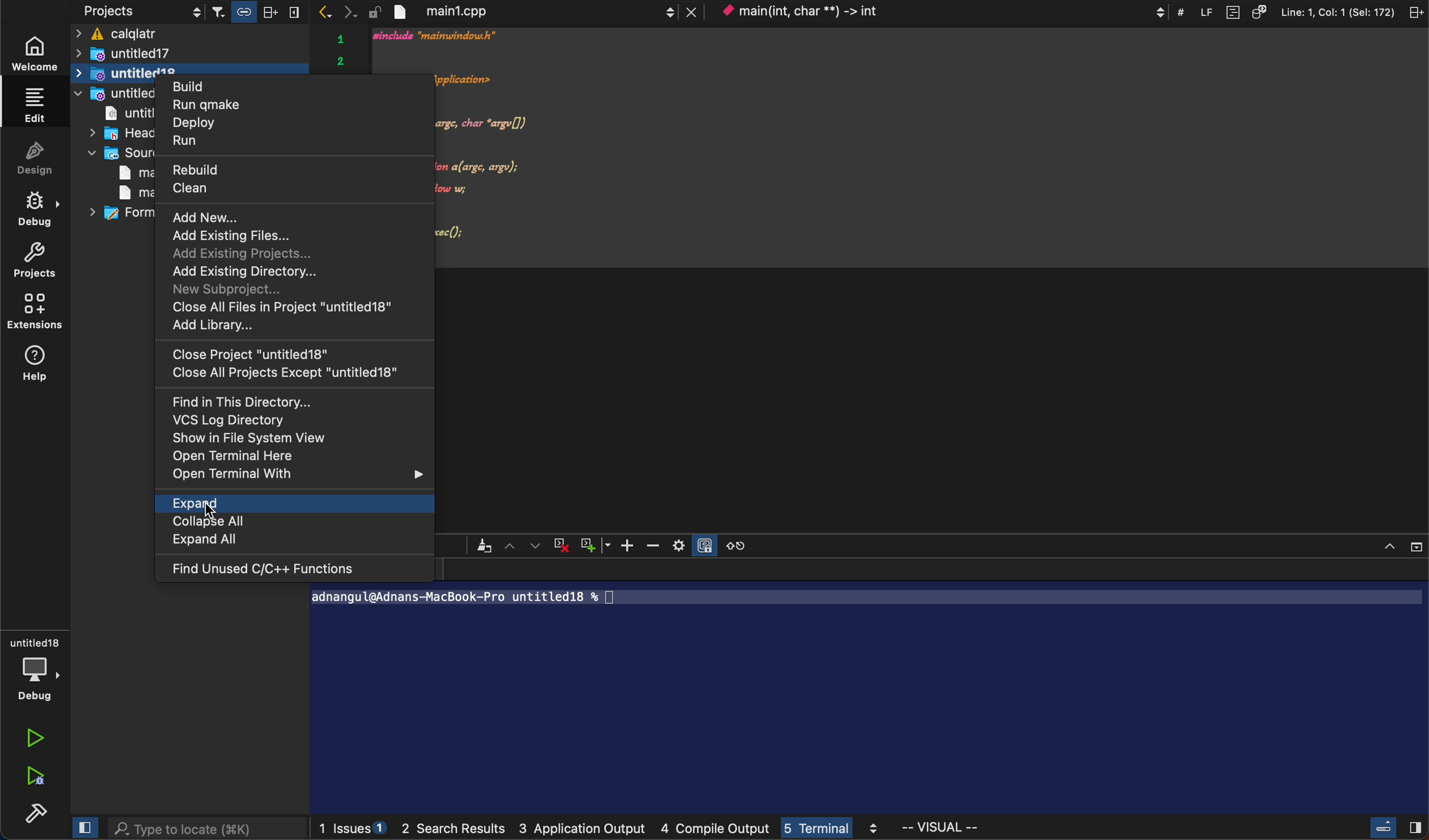  What do you see at coordinates (264, 540) in the screenshot?
I see `expand all` at bounding box center [264, 540].